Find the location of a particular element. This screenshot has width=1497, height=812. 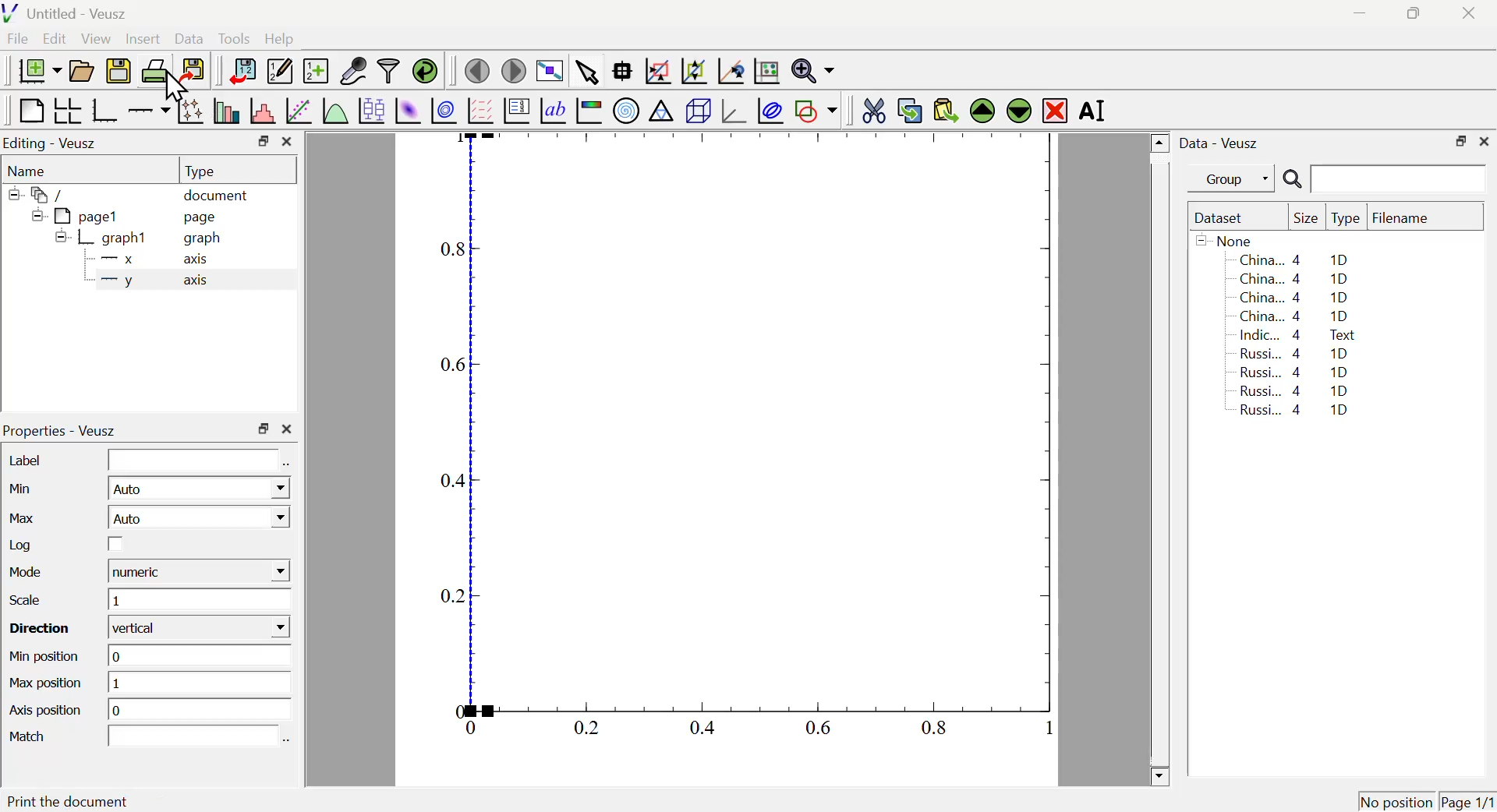

Type is located at coordinates (200, 171).